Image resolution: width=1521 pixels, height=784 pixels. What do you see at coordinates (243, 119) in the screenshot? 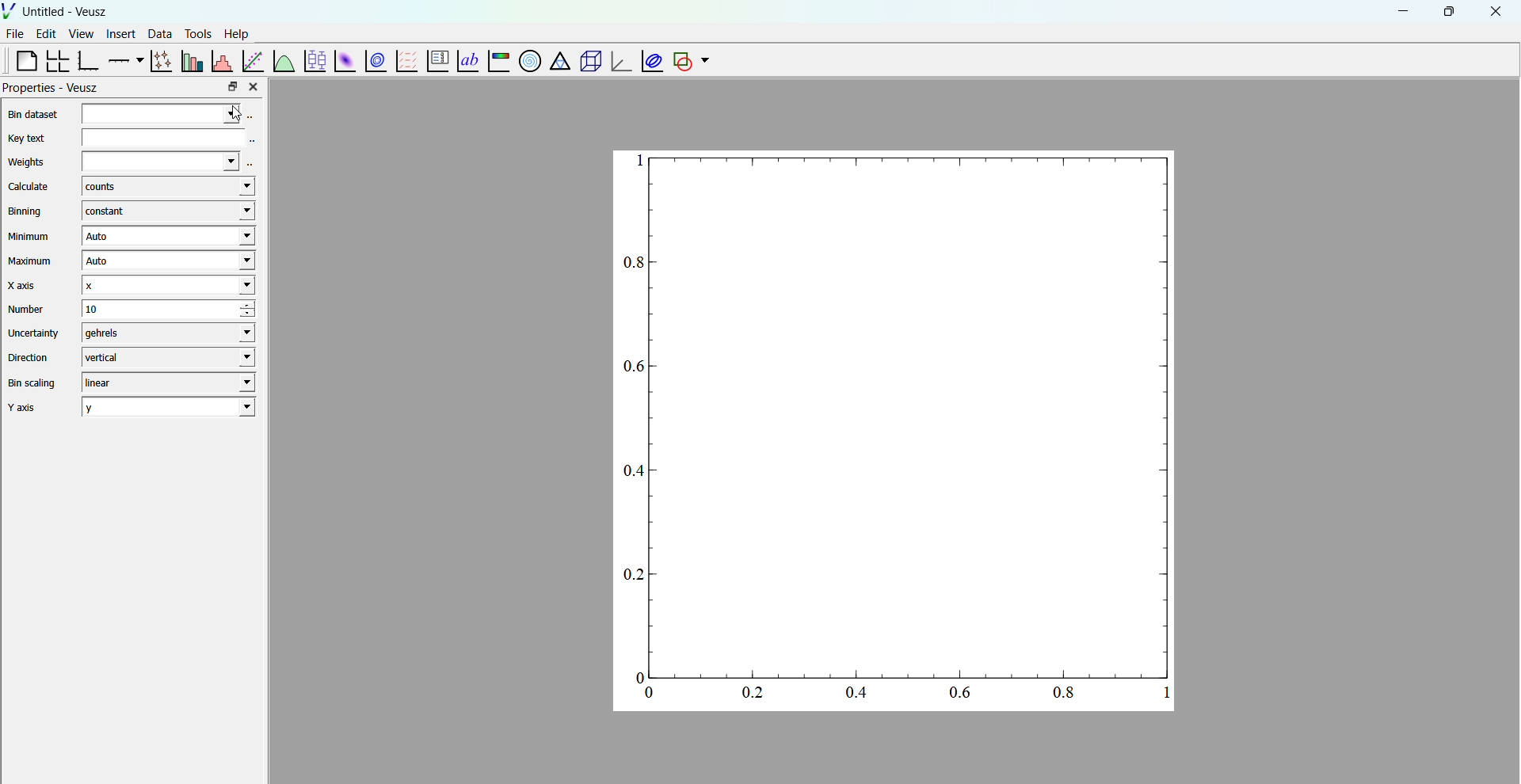
I see `cursor` at bounding box center [243, 119].